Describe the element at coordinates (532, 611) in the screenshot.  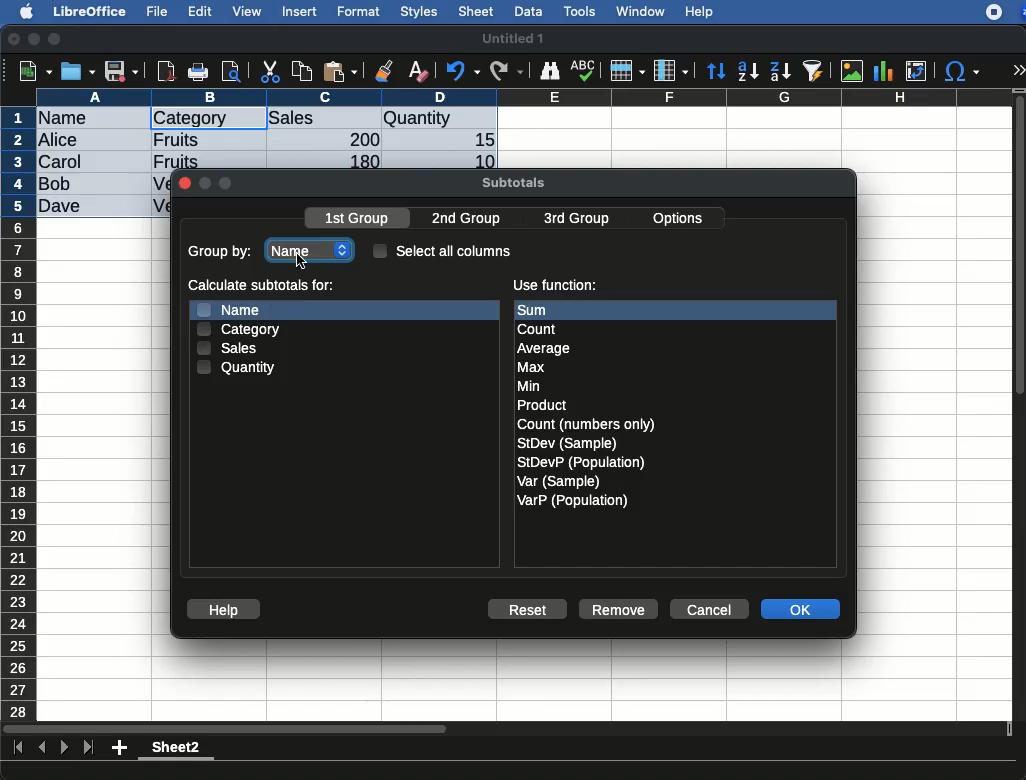
I see `reset` at that location.